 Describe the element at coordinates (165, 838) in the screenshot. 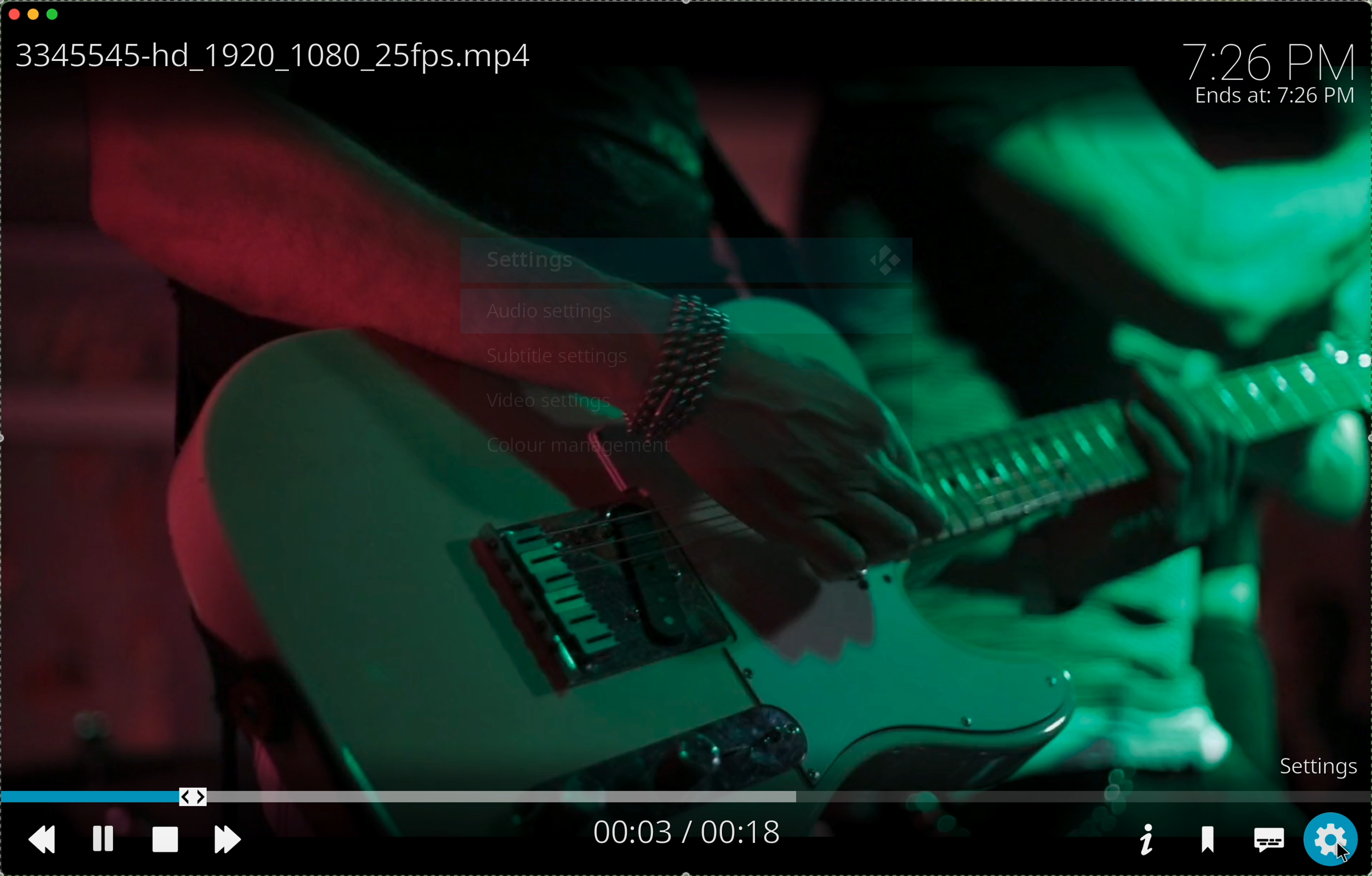

I see `stop` at that location.